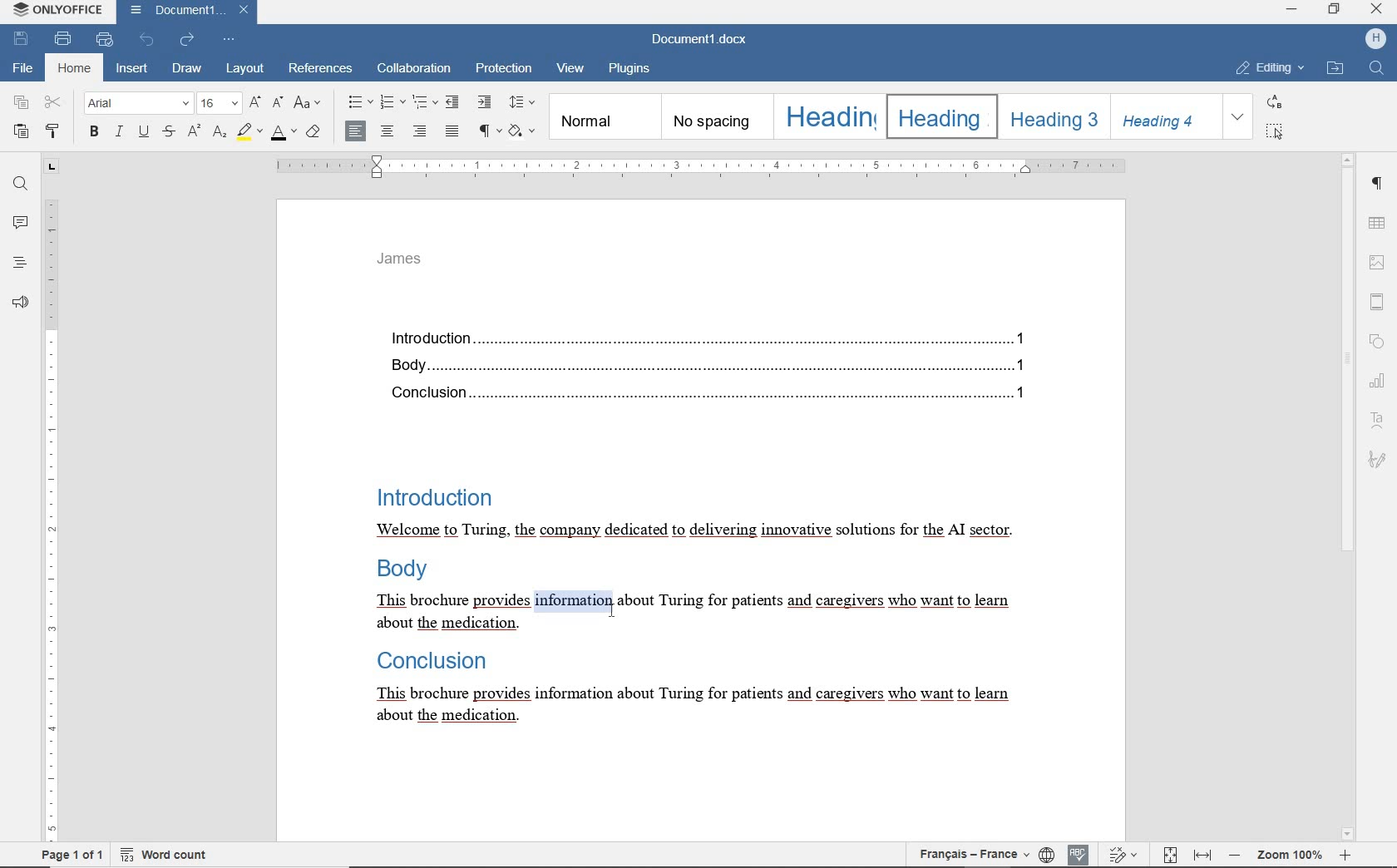  Describe the element at coordinates (322, 70) in the screenshot. I see `REFERENCES` at that location.